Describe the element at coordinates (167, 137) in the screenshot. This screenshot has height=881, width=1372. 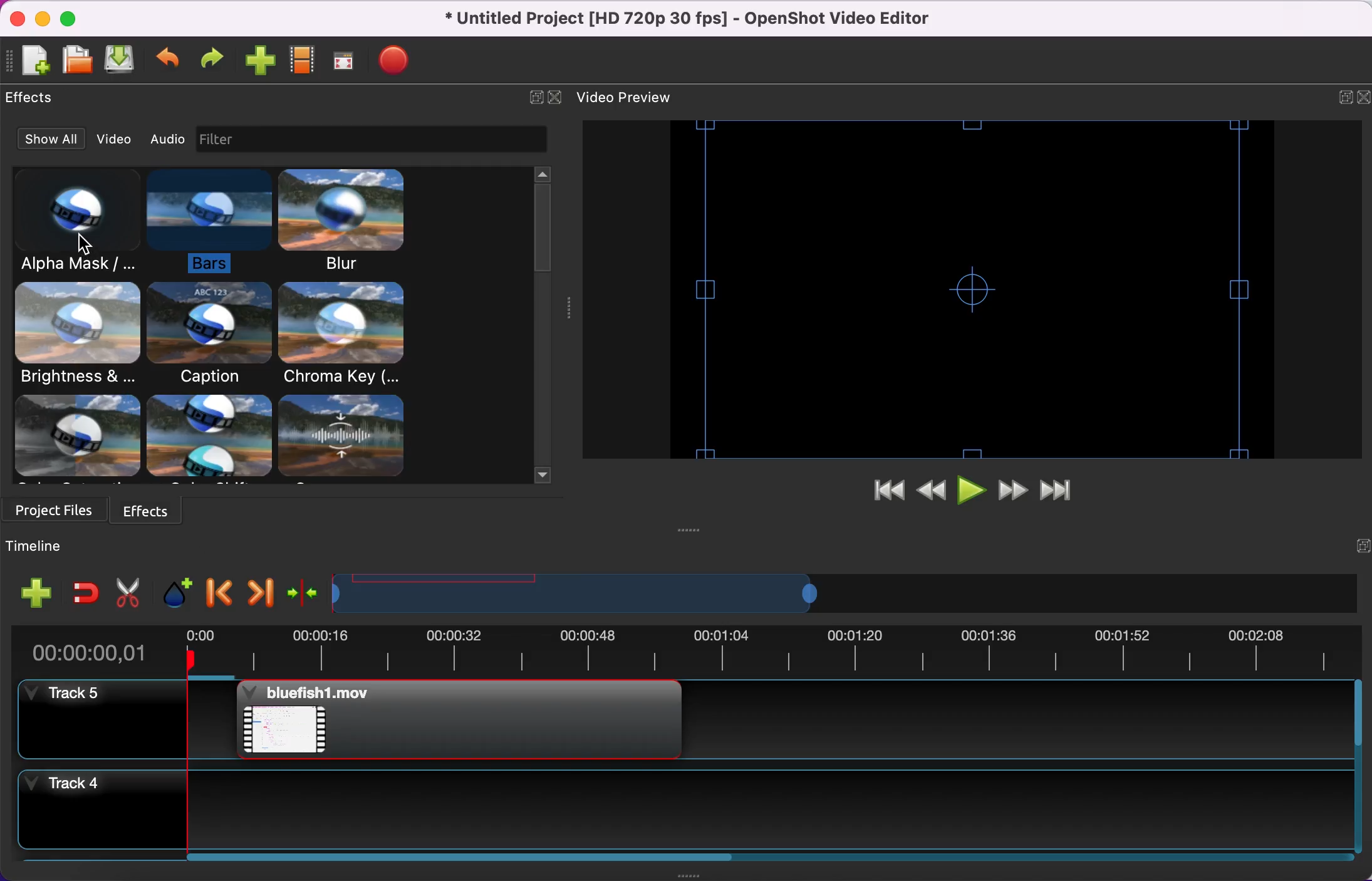
I see `audio` at that location.